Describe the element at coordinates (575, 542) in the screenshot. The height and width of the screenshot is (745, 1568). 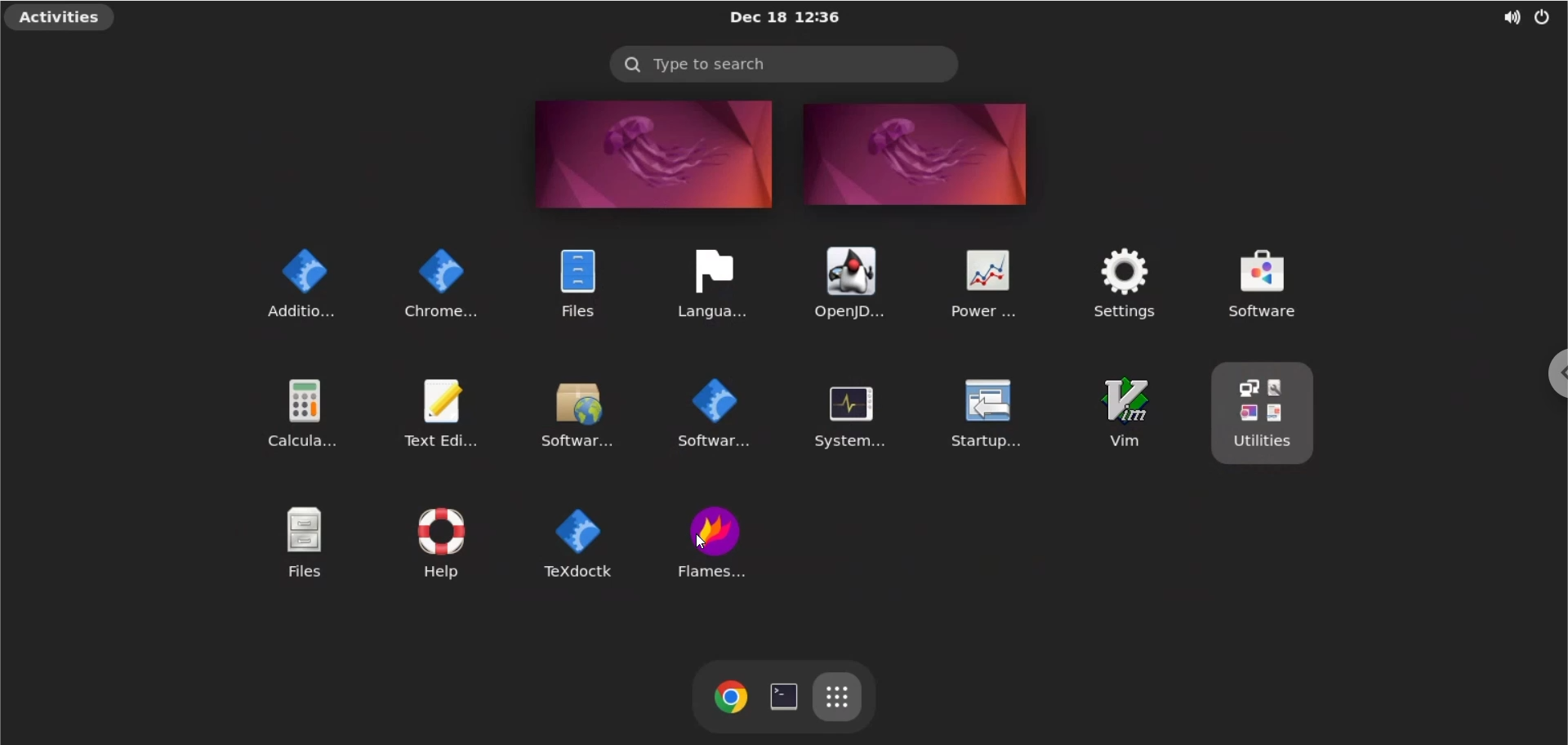
I see `text docs` at that location.